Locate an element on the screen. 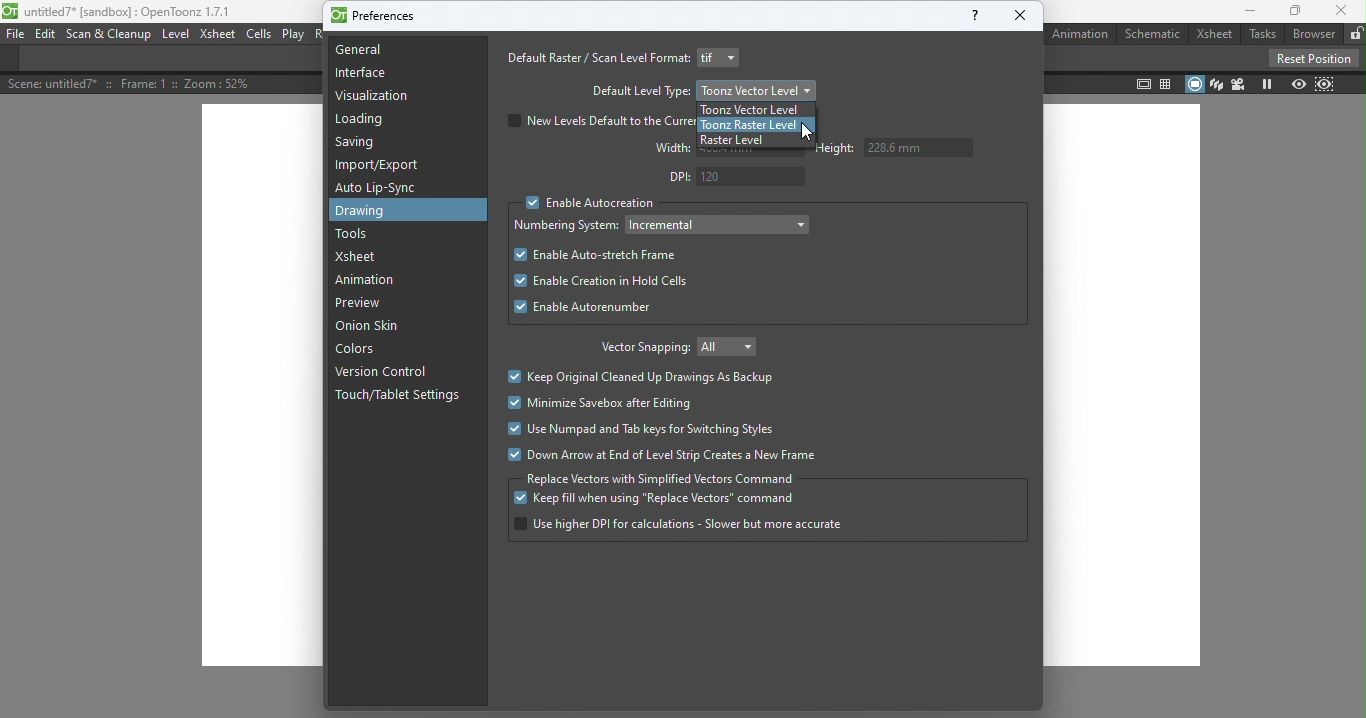  Vector snapping is located at coordinates (639, 348).